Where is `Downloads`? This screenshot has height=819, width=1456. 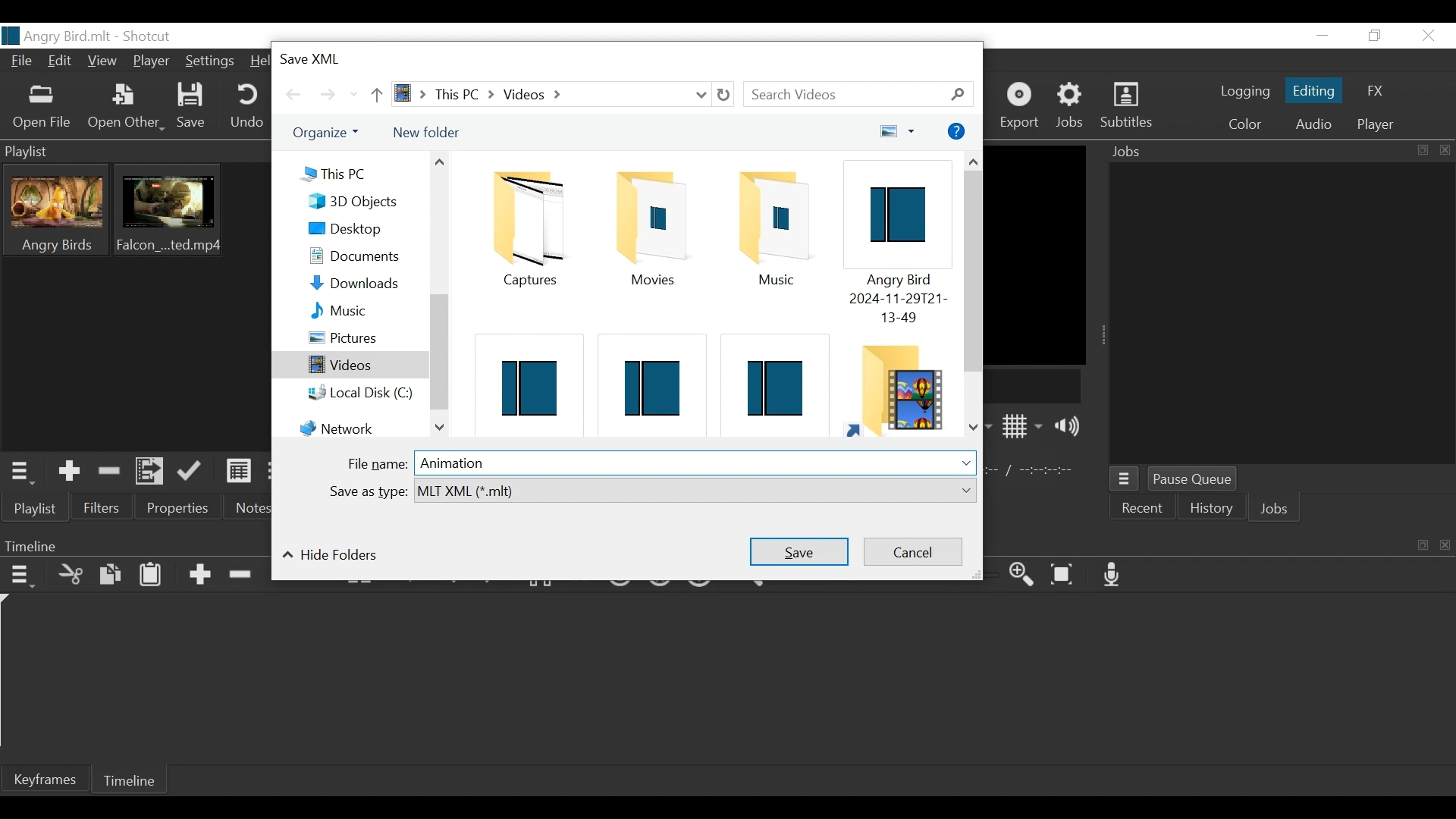
Downloads is located at coordinates (362, 281).